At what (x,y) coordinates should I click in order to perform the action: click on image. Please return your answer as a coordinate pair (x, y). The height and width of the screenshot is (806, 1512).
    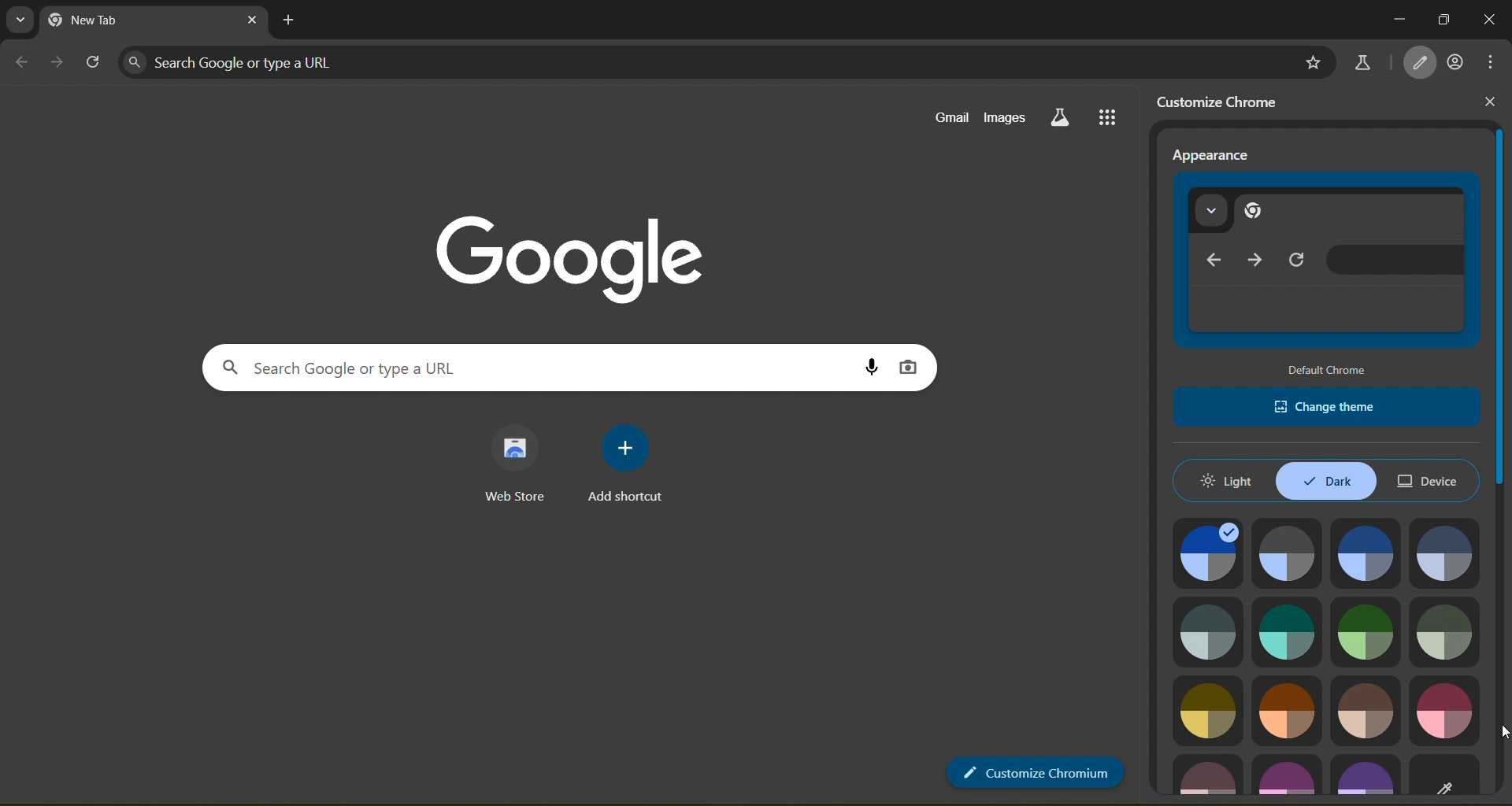
    Looking at the image, I should click on (1366, 777).